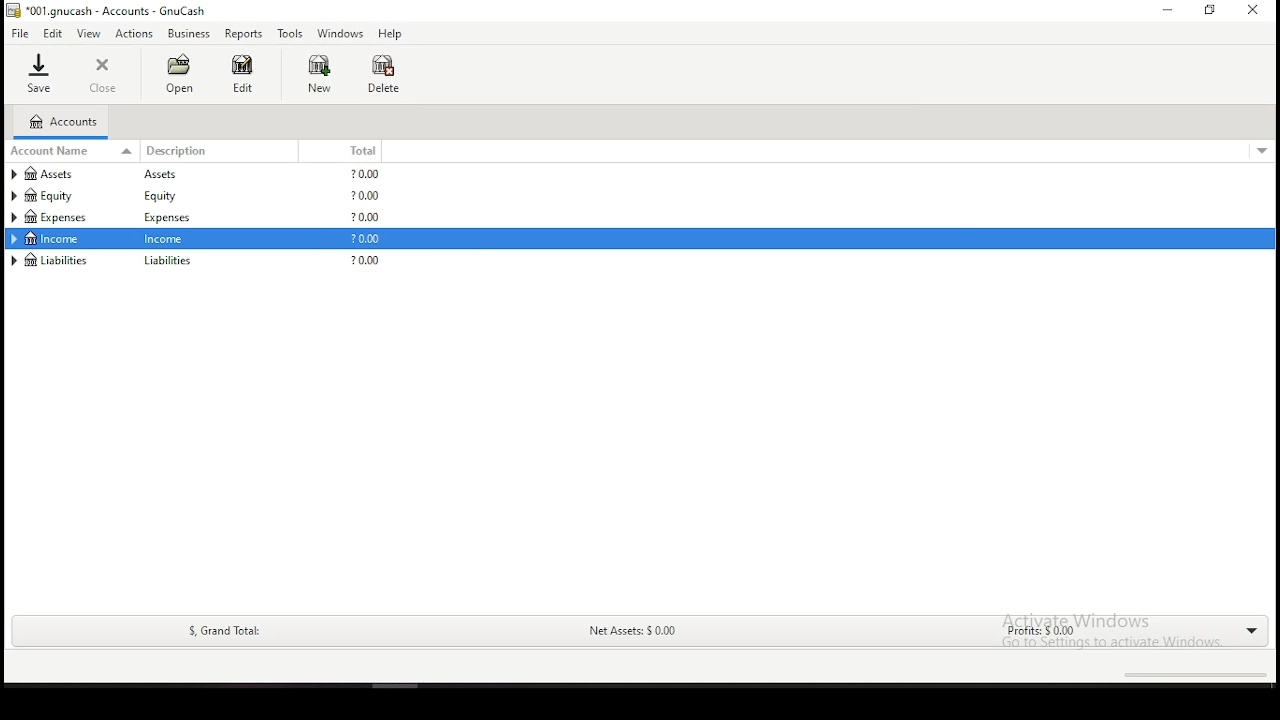 This screenshot has height=720, width=1280. Describe the element at coordinates (339, 34) in the screenshot. I see `windows` at that location.